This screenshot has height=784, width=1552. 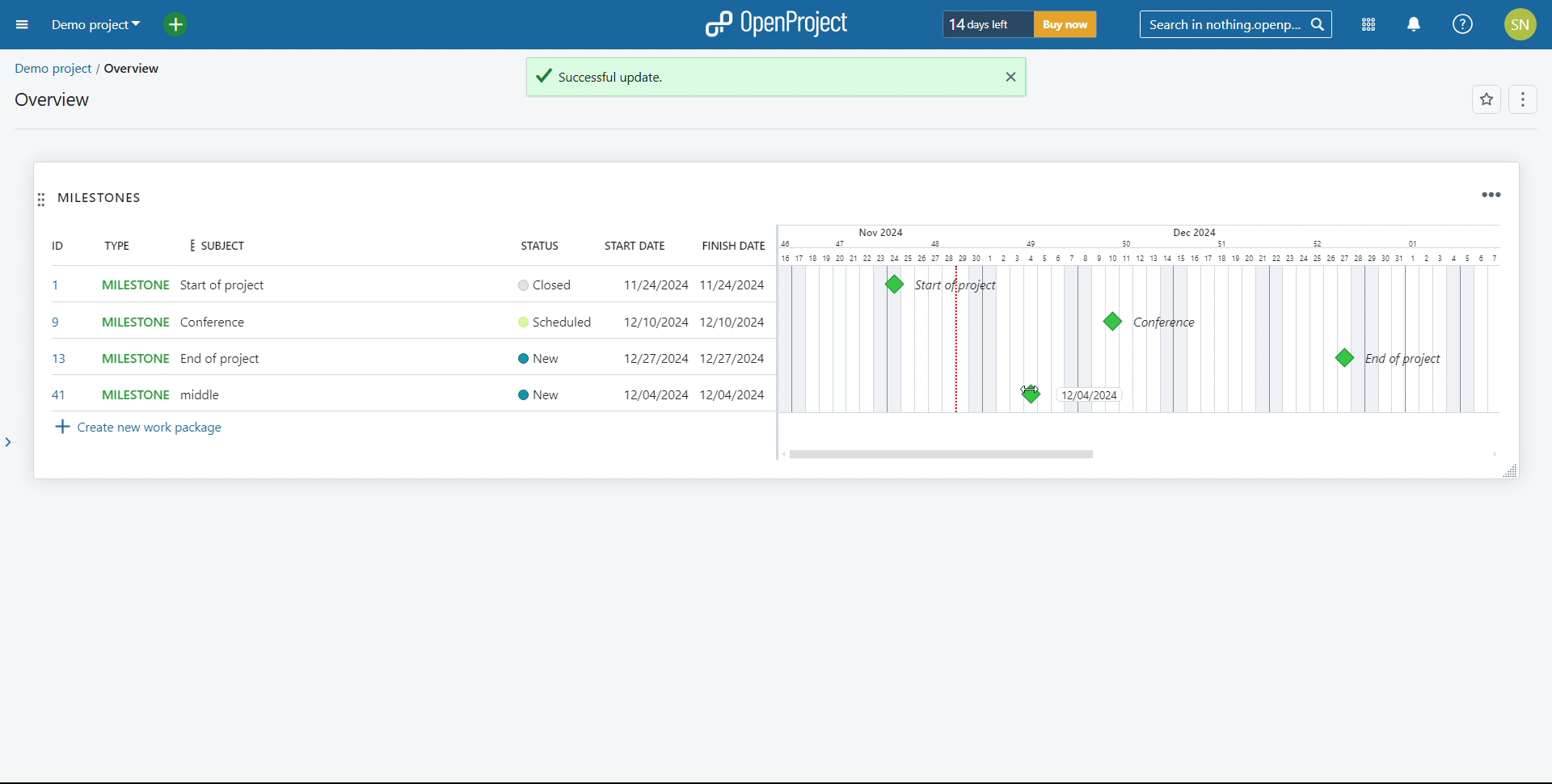 I want to click on days left of trial, so click(x=986, y=23).